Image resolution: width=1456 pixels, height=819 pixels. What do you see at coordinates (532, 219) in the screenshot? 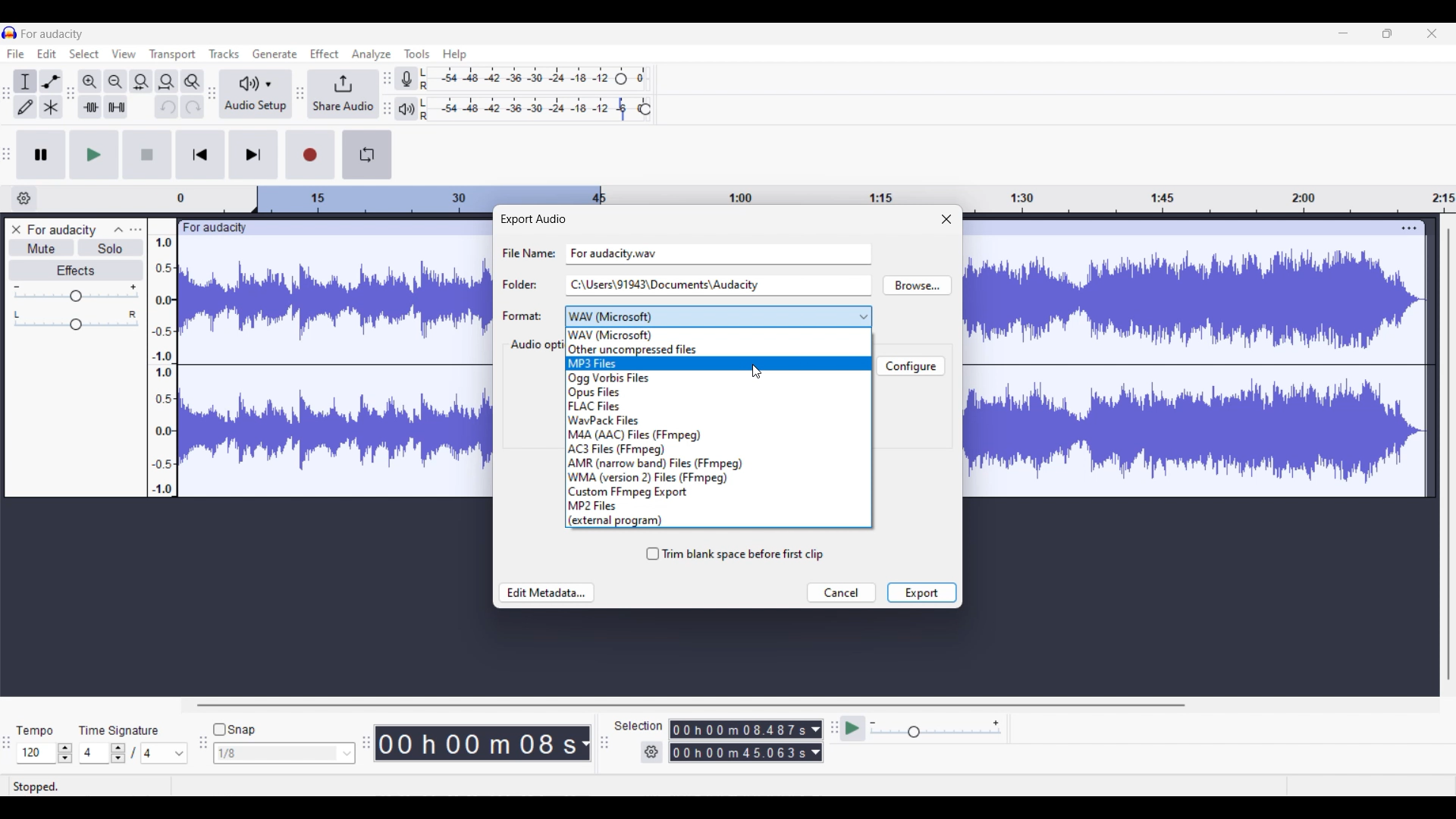
I see `Window title` at bounding box center [532, 219].